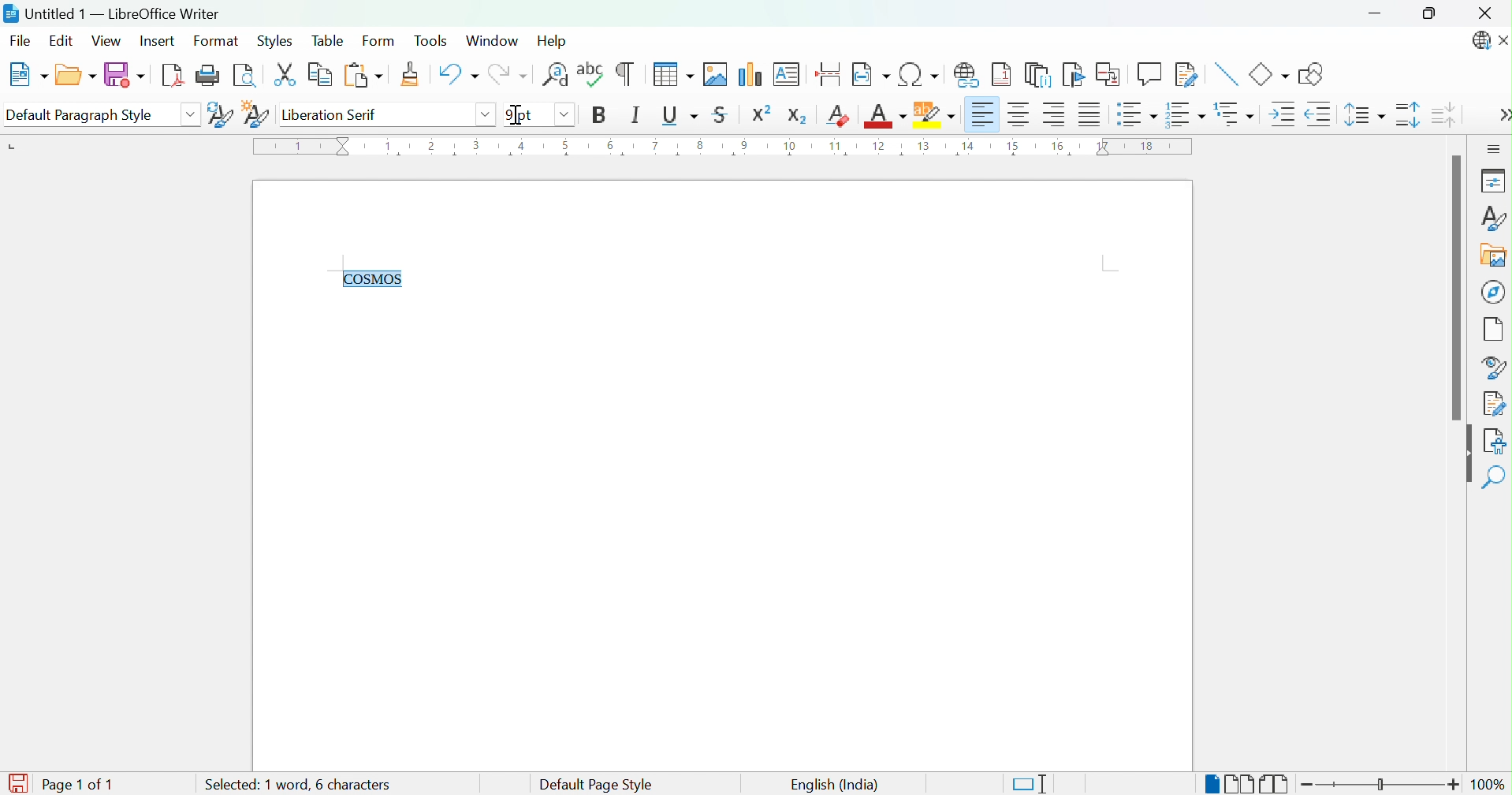 The image size is (1512, 795). What do you see at coordinates (1136, 116) in the screenshot?
I see `Toggle unordered list` at bounding box center [1136, 116].